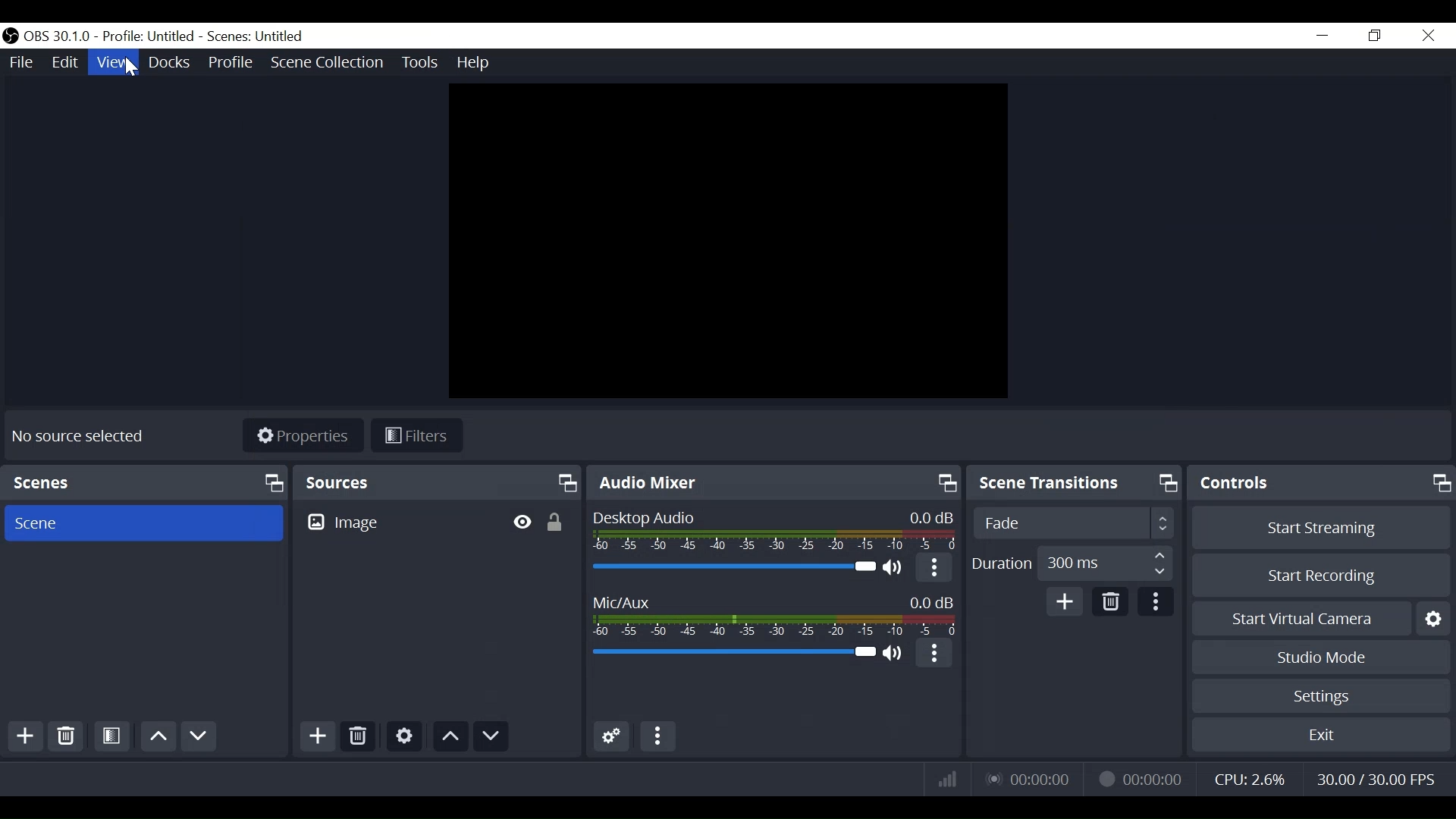 This screenshot has width=1456, height=819. Describe the element at coordinates (521, 519) in the screenshot. I see `Hide/Display` at that location.